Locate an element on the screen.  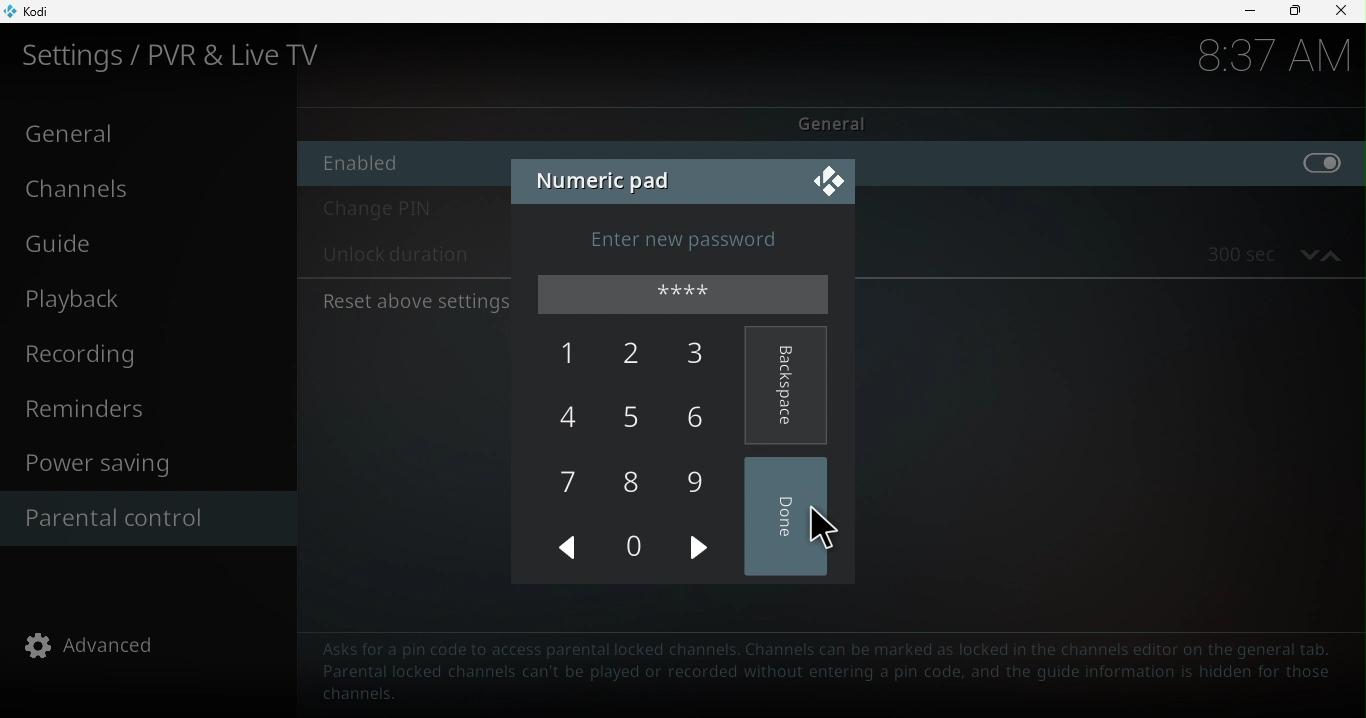
cursor is located at coordinates (822, 525).